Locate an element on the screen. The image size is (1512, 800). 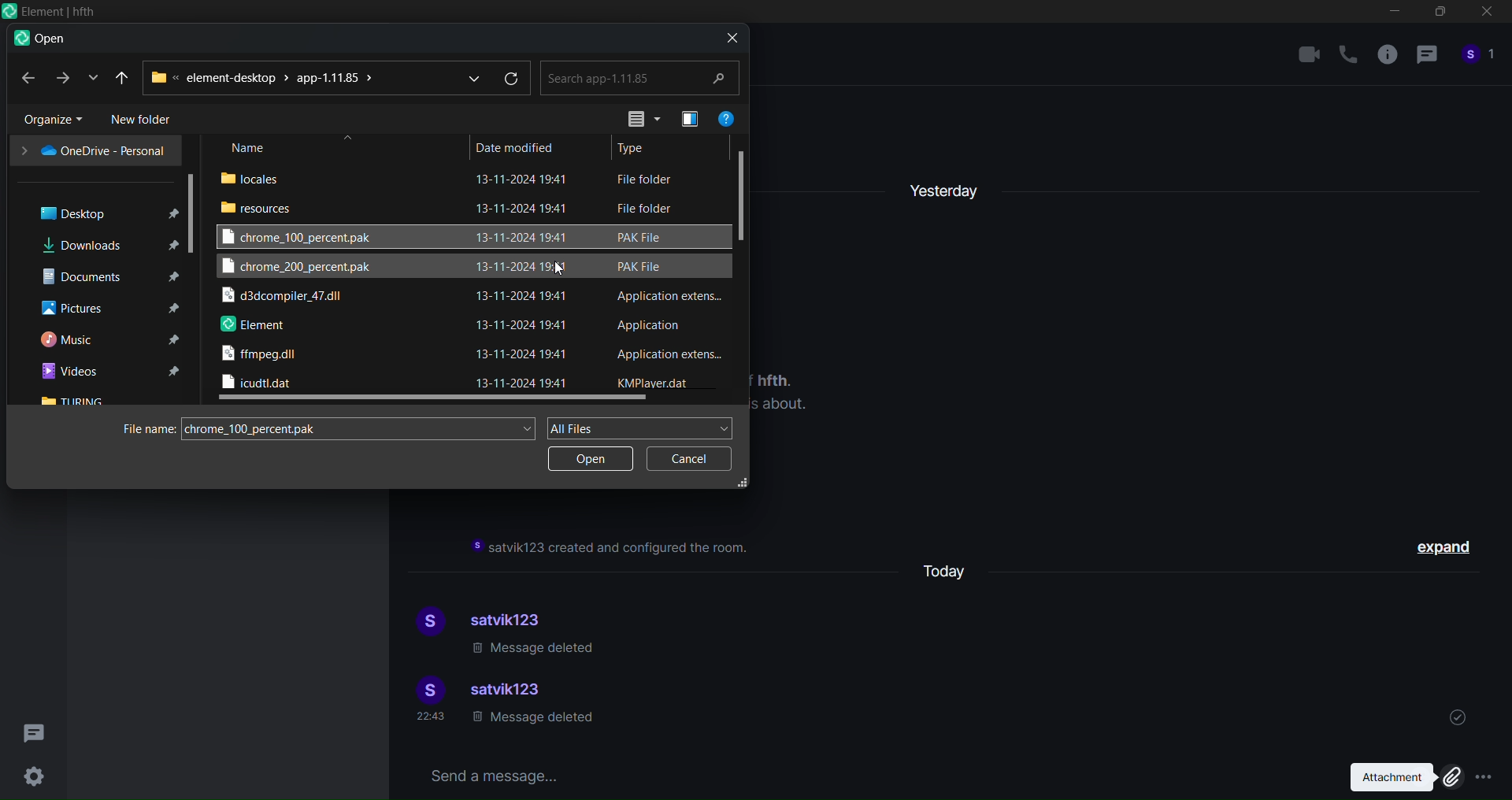
icudtl dll is located at coordinates (258, 383).